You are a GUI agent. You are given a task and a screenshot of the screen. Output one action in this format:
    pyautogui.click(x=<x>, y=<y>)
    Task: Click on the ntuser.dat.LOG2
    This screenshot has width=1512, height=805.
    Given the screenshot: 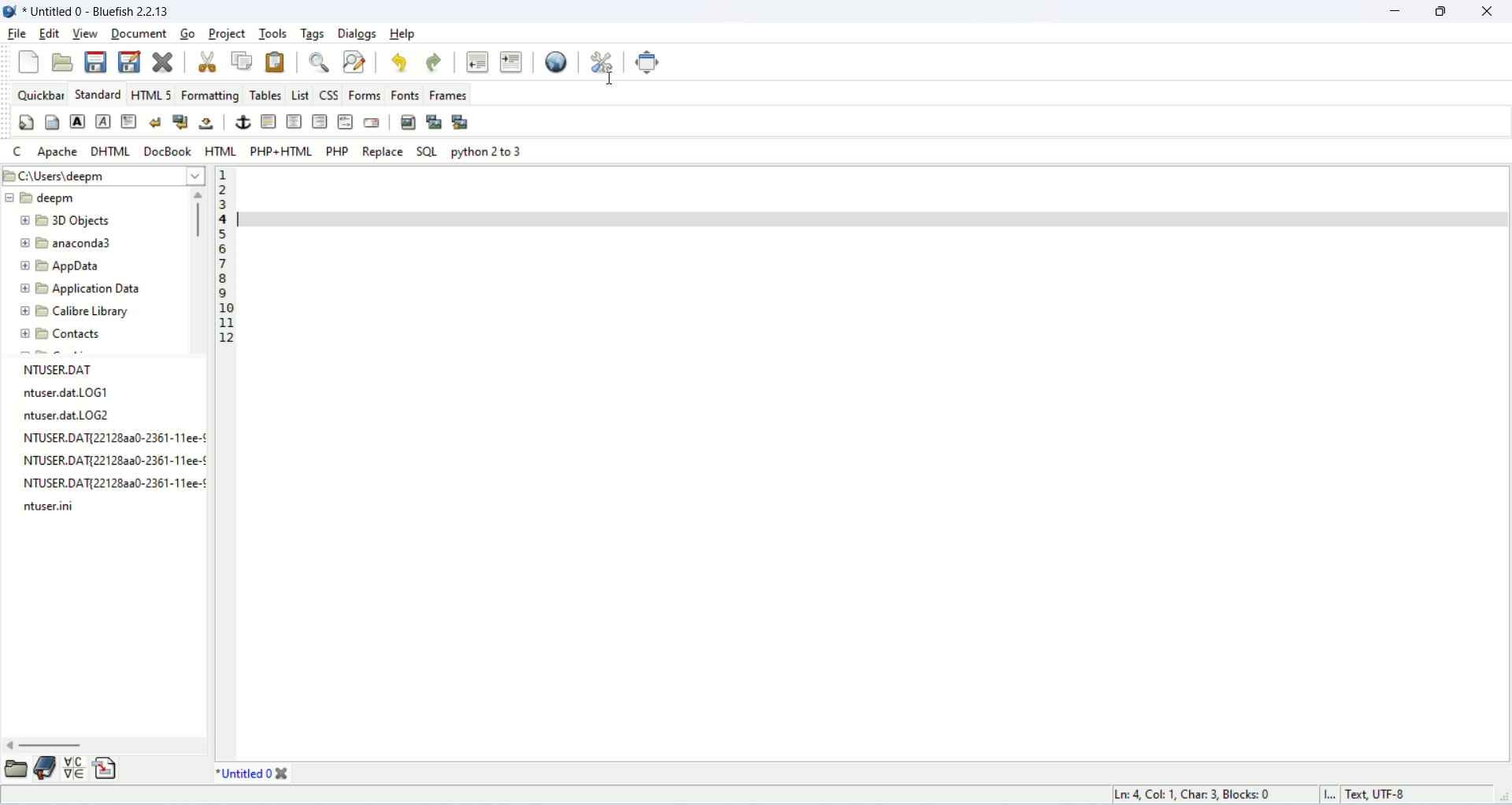 What is the action you would take?
    pyautogui.click(x=69, y=415)
    